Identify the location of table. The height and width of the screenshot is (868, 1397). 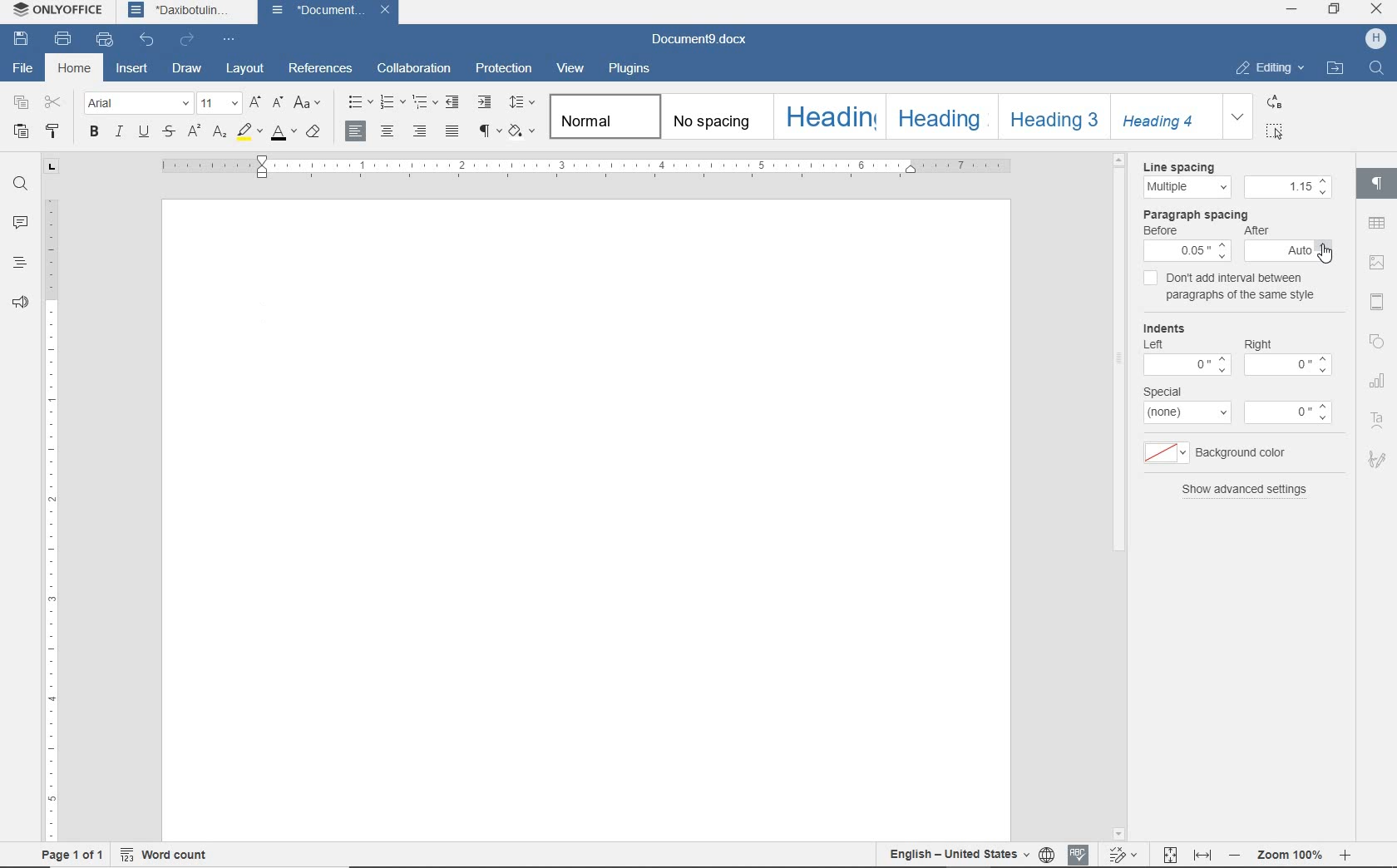
(1378, 224).